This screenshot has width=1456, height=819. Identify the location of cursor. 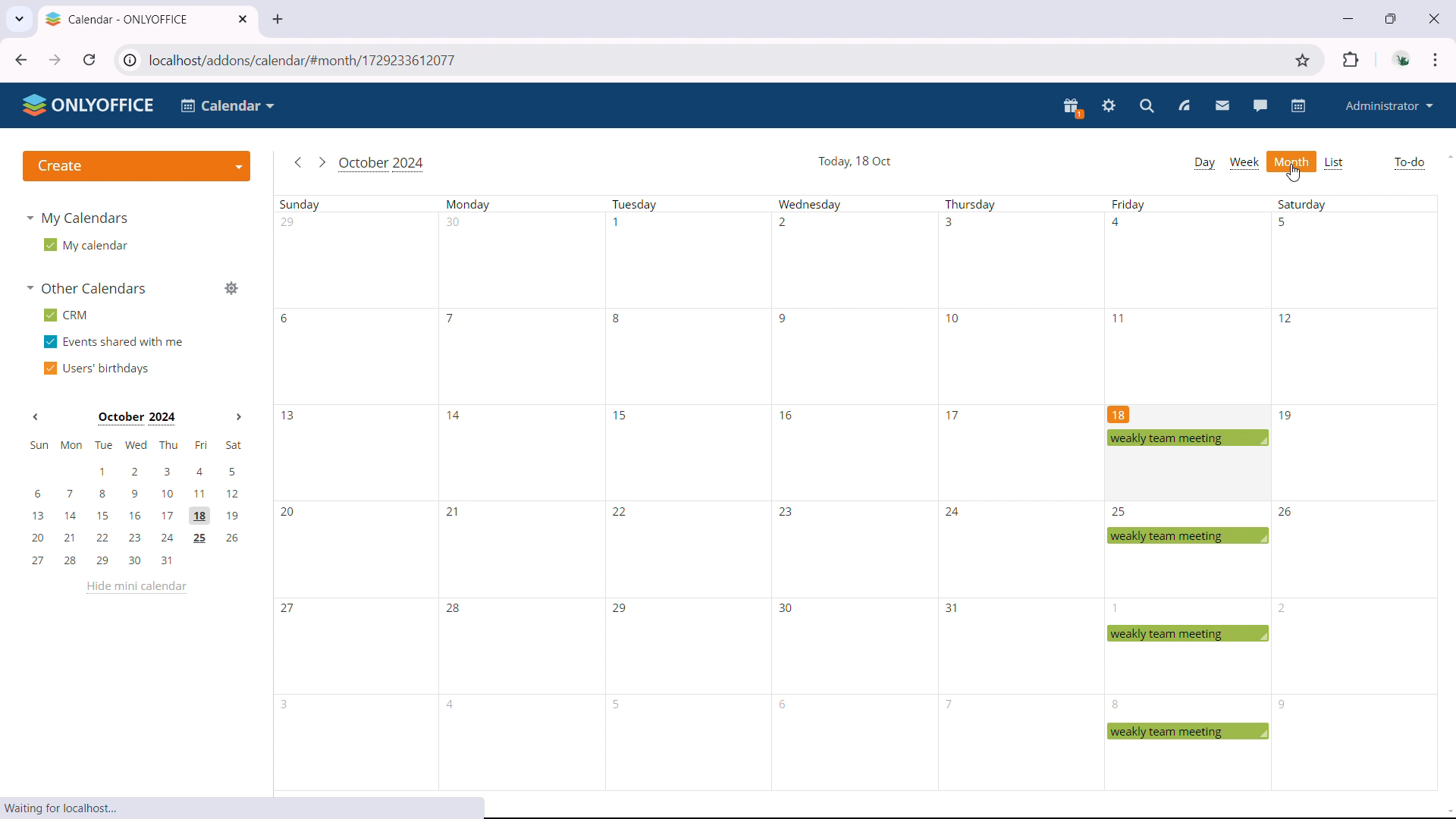
(1294, 173).